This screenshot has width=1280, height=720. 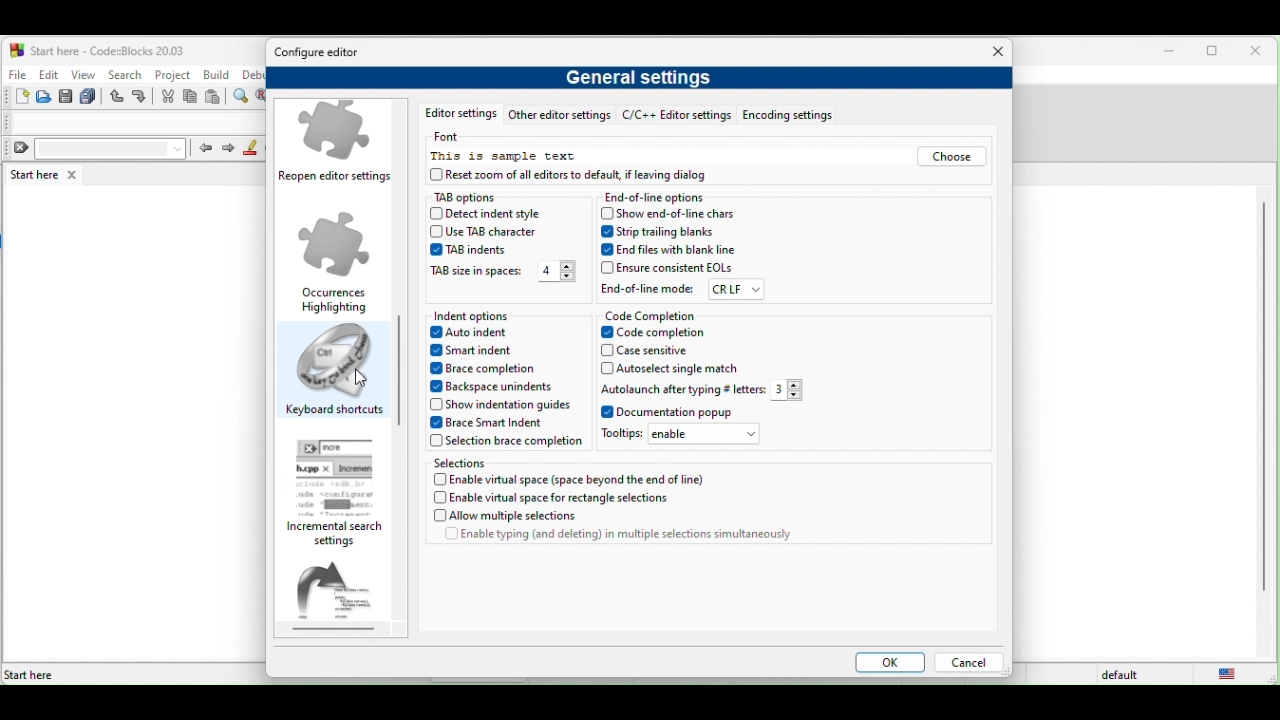 I want to click on case sensitive, so click(x=658, y=351).